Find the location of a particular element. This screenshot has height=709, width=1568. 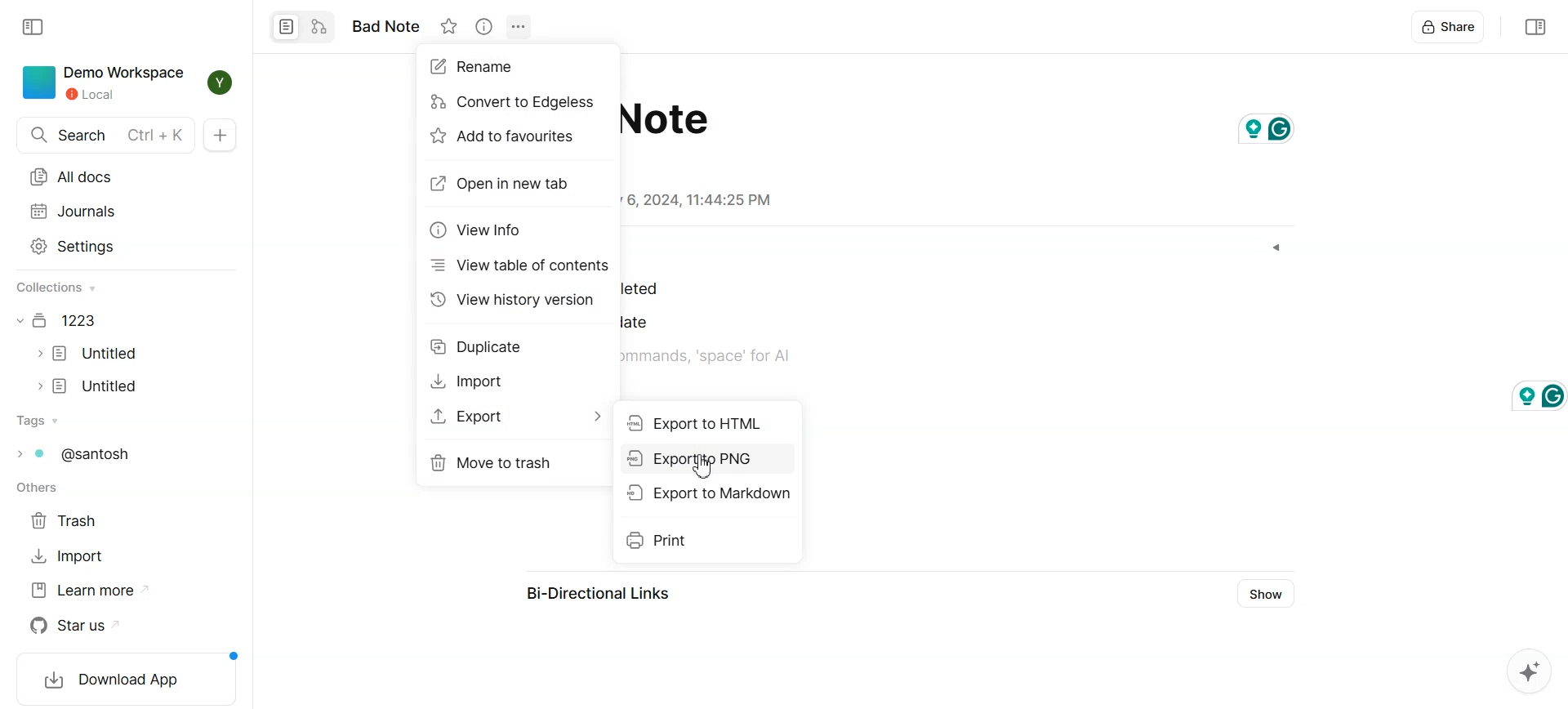

Export to PNG is located at coordinates (706, 458).